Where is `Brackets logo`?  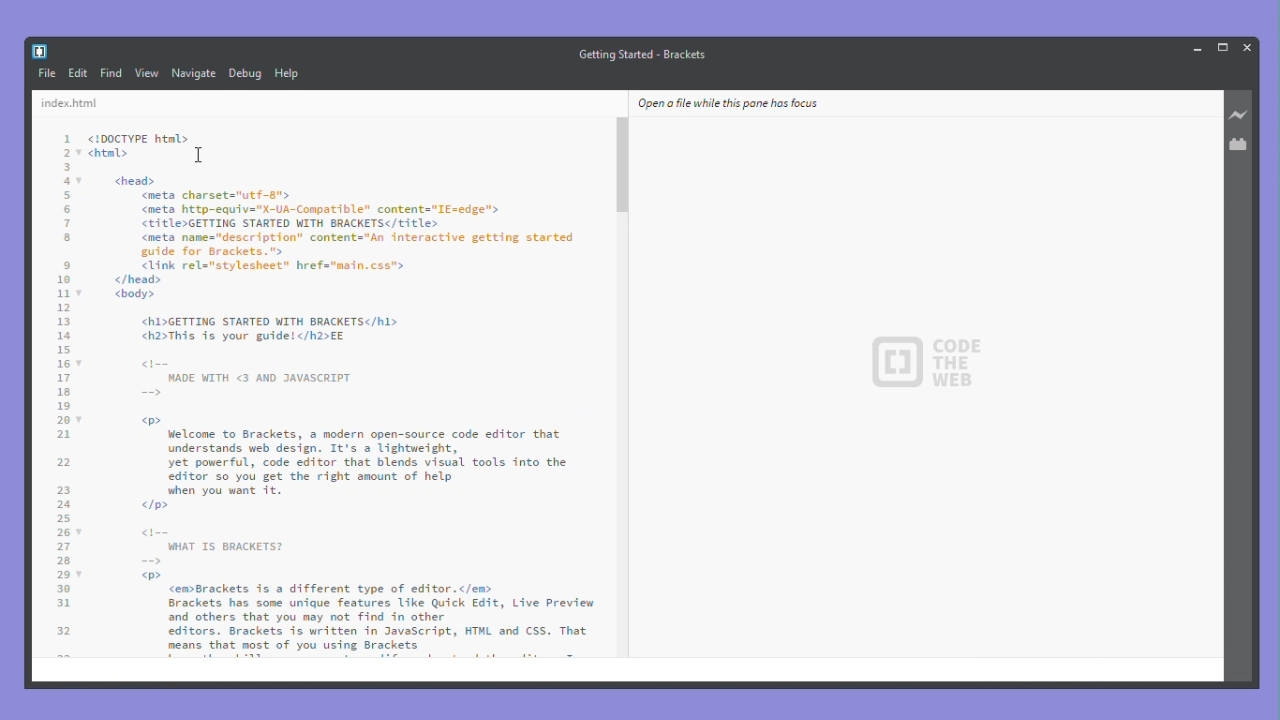
Brackets logo is located at coordinates (39, 51).